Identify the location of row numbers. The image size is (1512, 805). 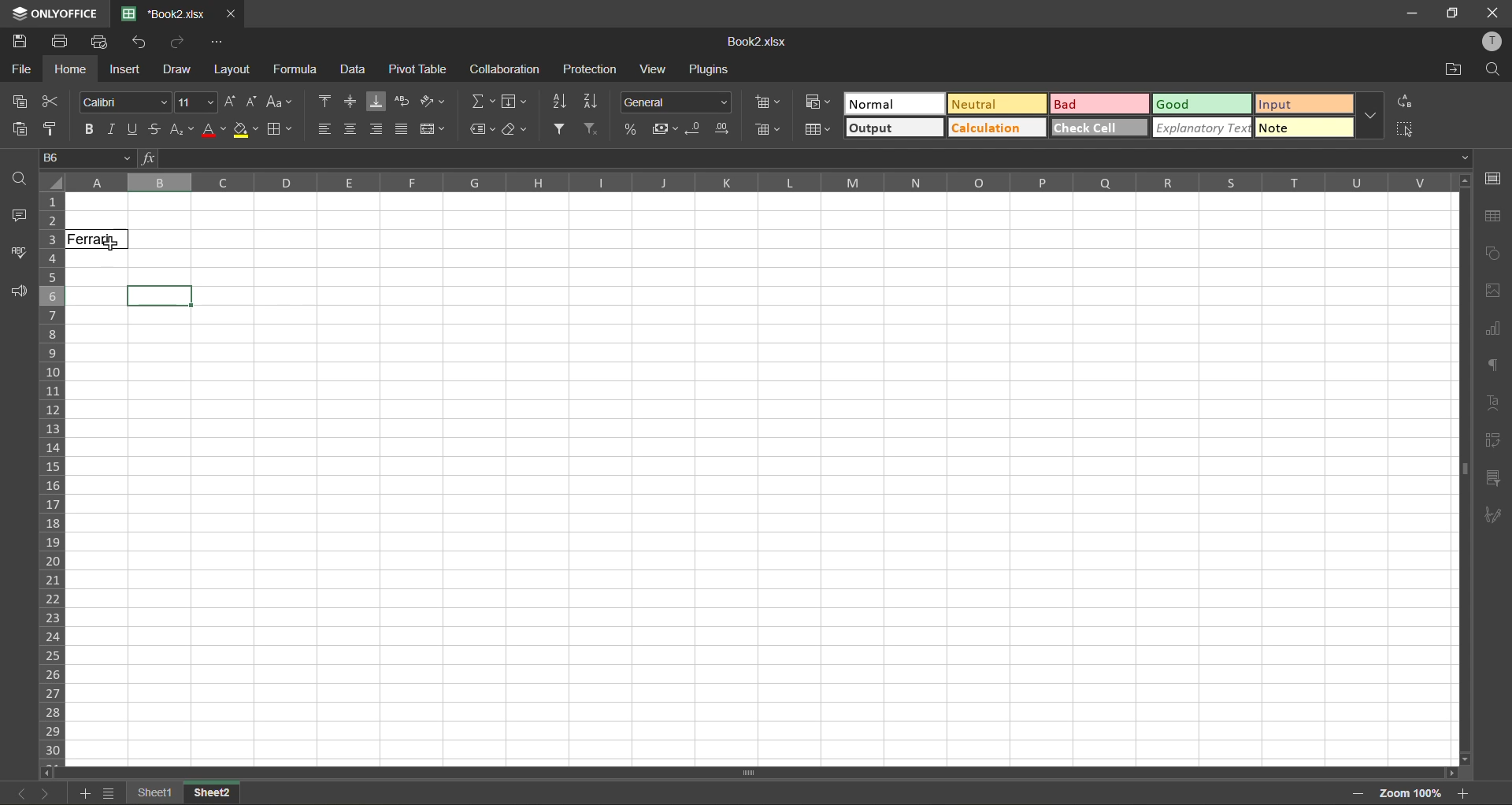
(52, 480).